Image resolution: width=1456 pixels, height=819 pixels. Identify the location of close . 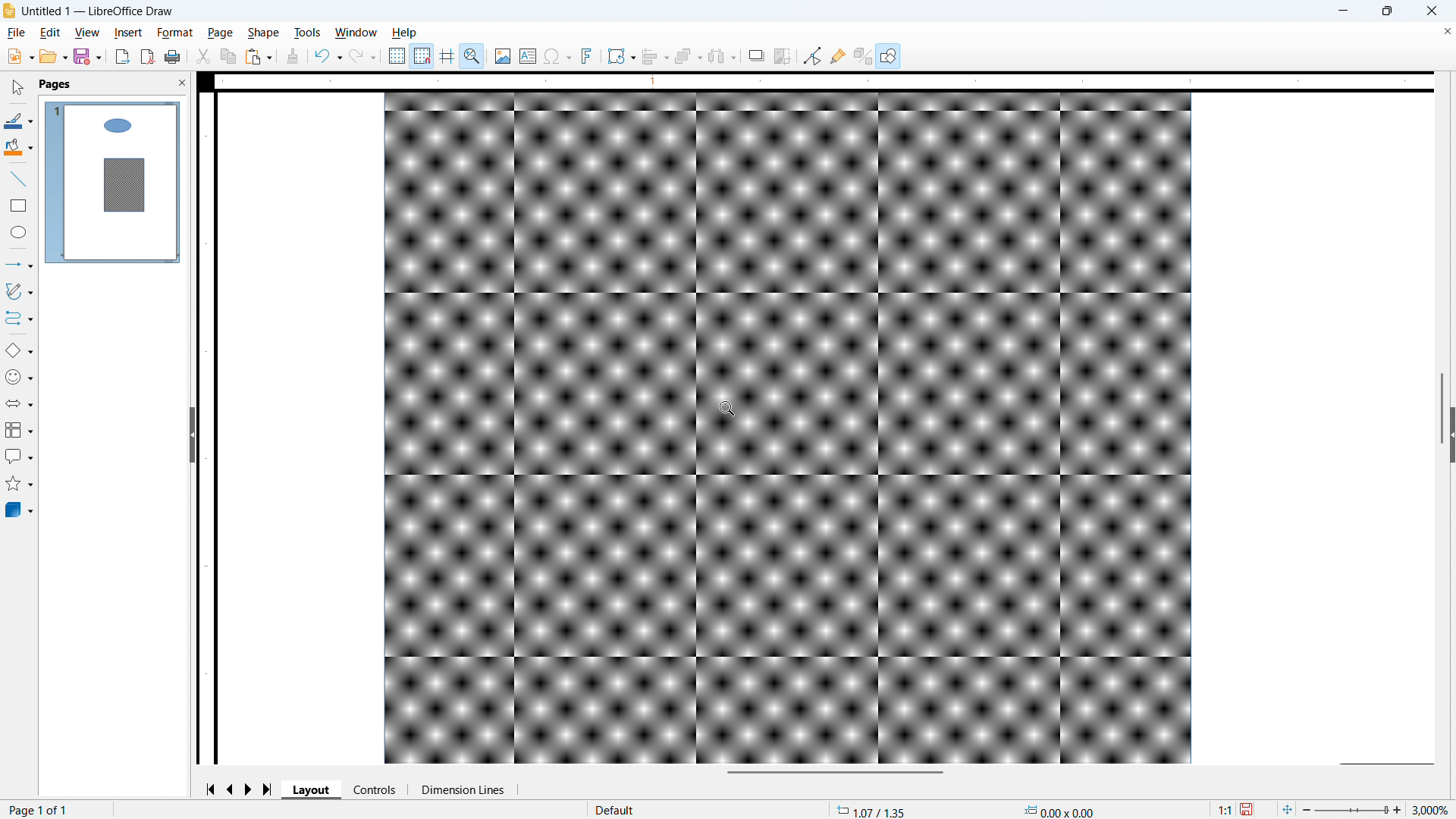
(1430, 11).